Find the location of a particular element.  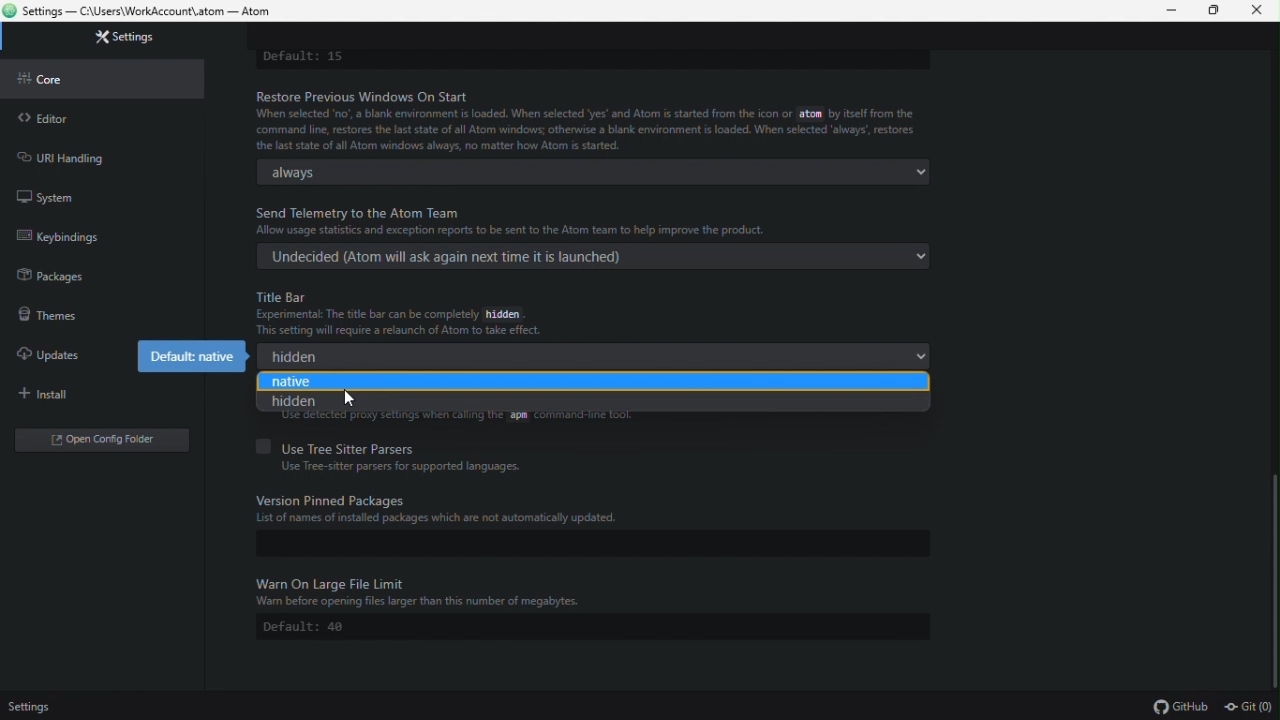

URI handling is located at coordinates (96, 155).